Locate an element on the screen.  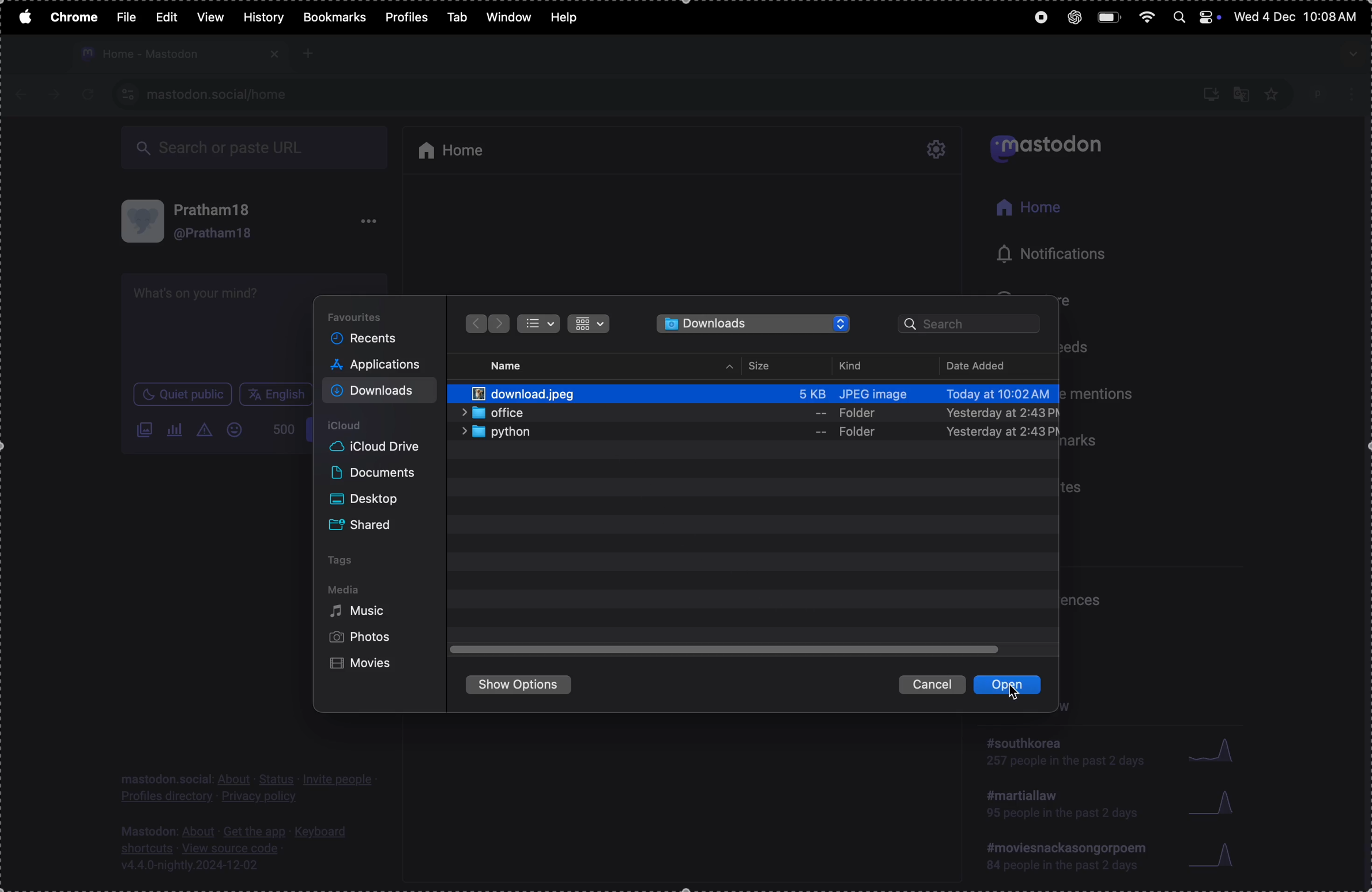
nexttab is located at coordinates (55, 95).